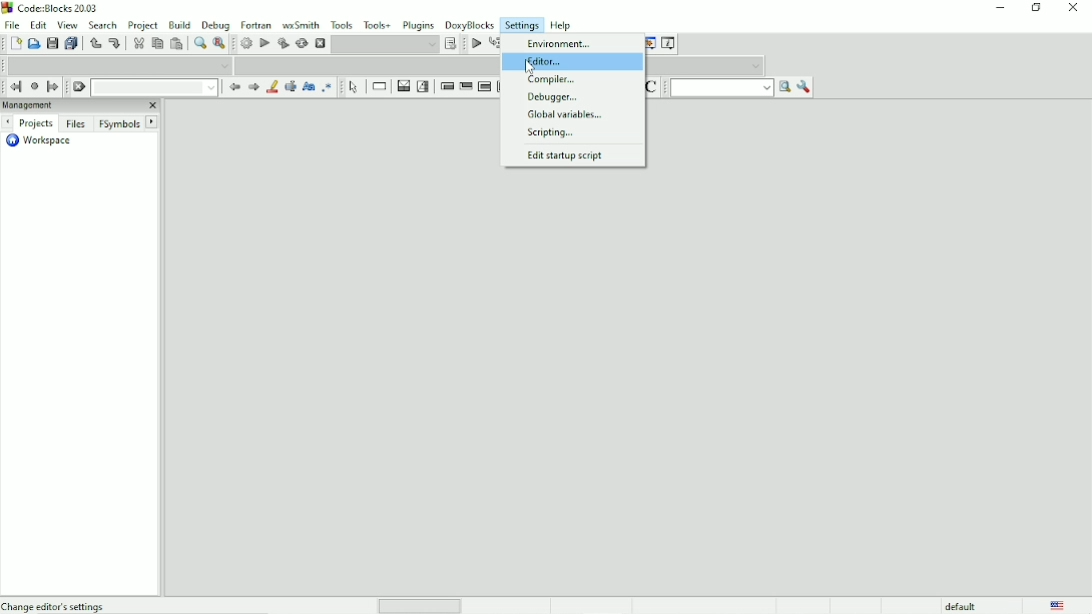 The height and width of the screenshot is (614, 1092). I want to click on Run search, so click(784, 87).